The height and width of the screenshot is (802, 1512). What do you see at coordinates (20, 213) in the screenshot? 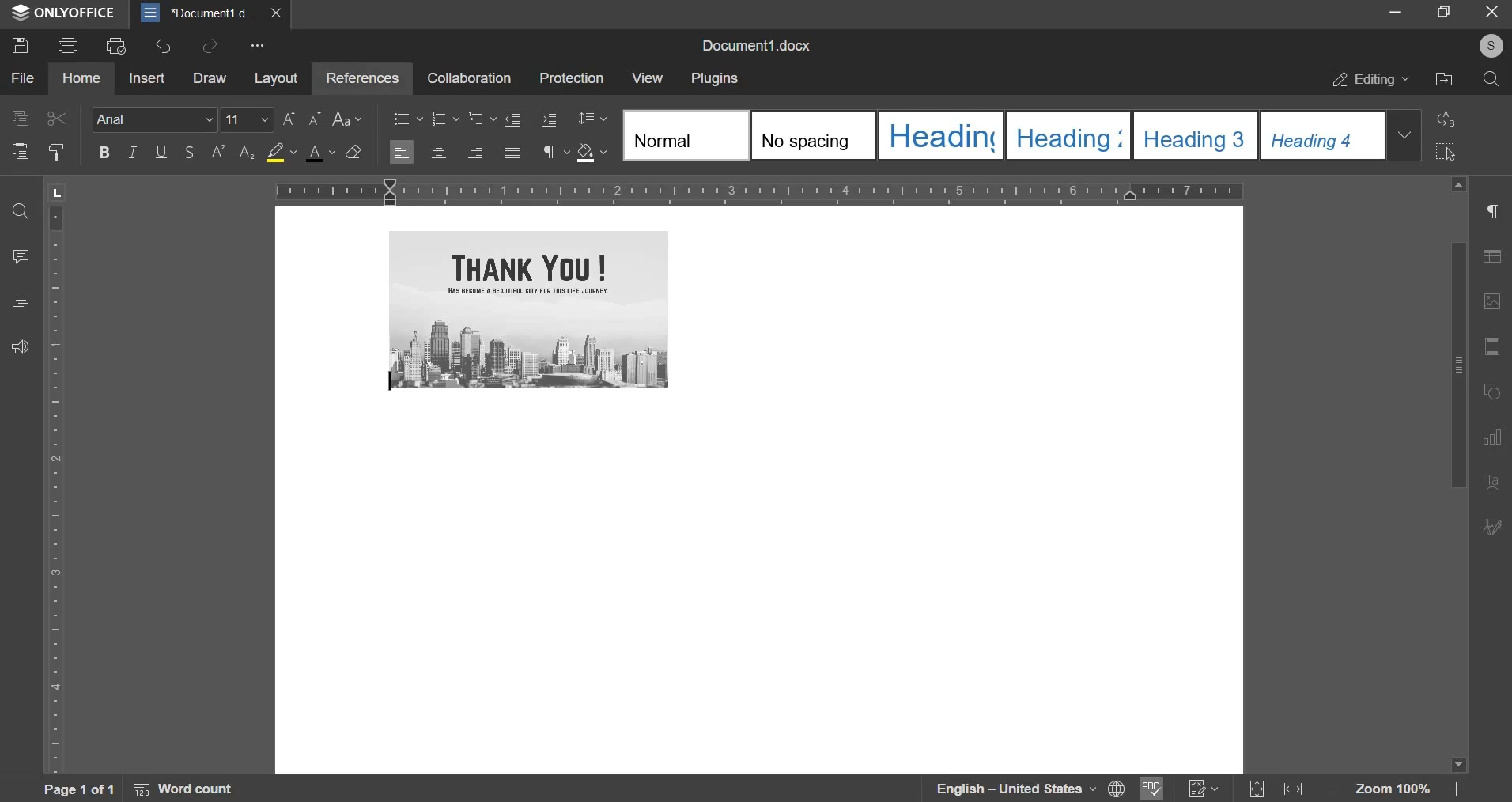
I see `find` at bounding box center [20, 213].